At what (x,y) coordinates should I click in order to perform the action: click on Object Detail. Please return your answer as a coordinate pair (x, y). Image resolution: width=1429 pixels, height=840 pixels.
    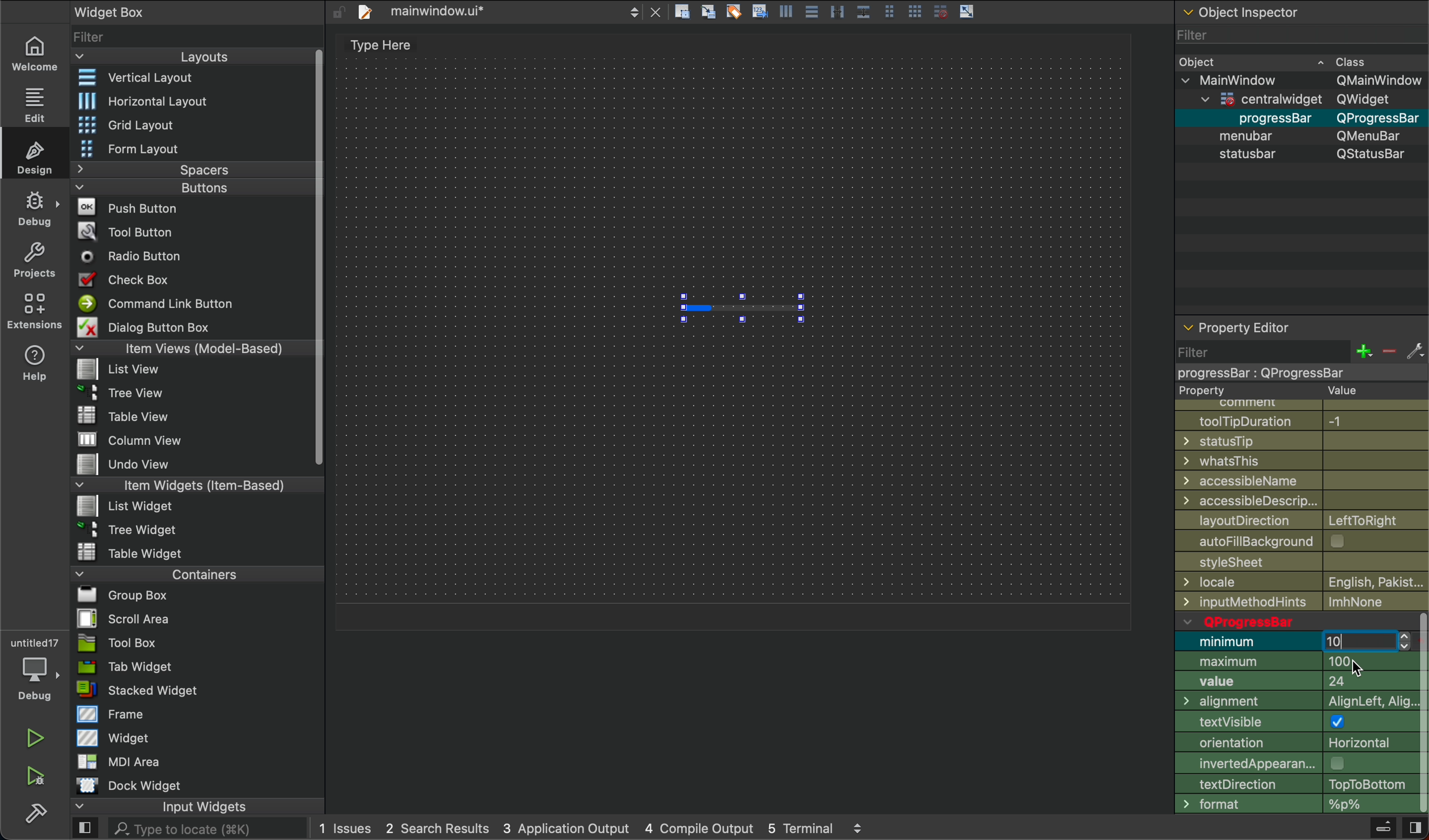
    Looking at the image, I should click on (1300, 107).